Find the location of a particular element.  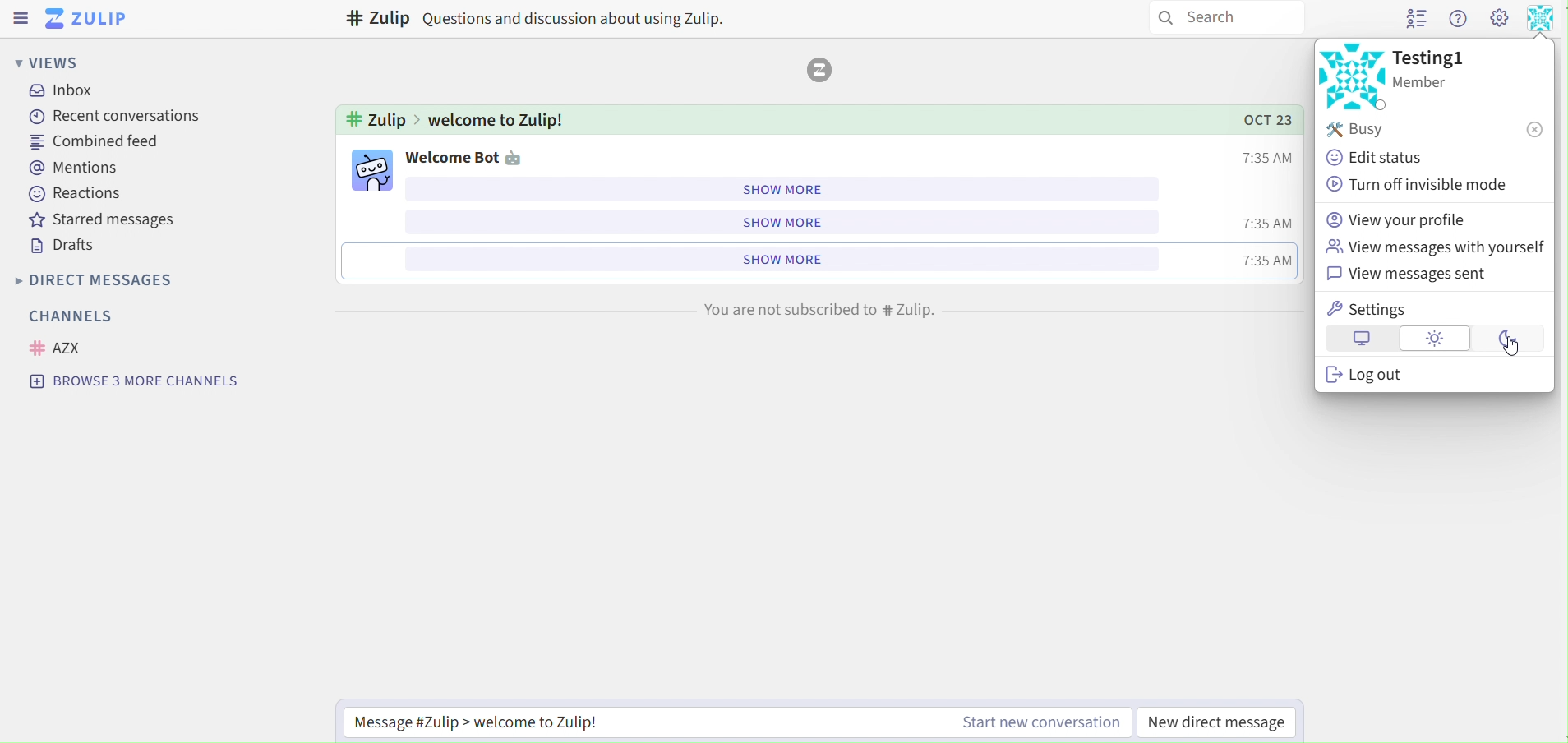

reactions is located at coordinates (78, 192).